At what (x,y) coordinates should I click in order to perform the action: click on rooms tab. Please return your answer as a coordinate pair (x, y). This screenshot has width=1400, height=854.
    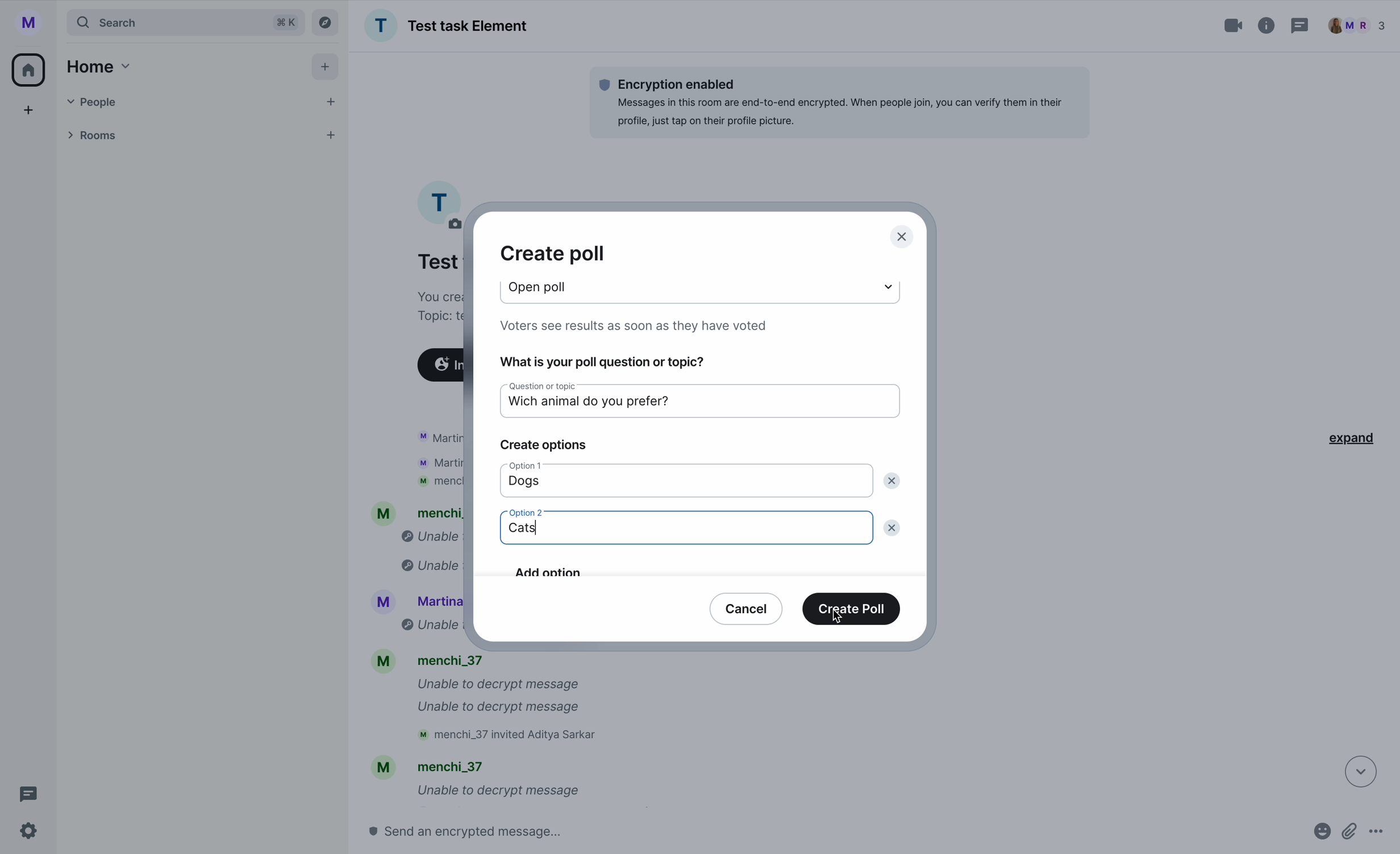
    Looking at the image, I should click on (198, 137).